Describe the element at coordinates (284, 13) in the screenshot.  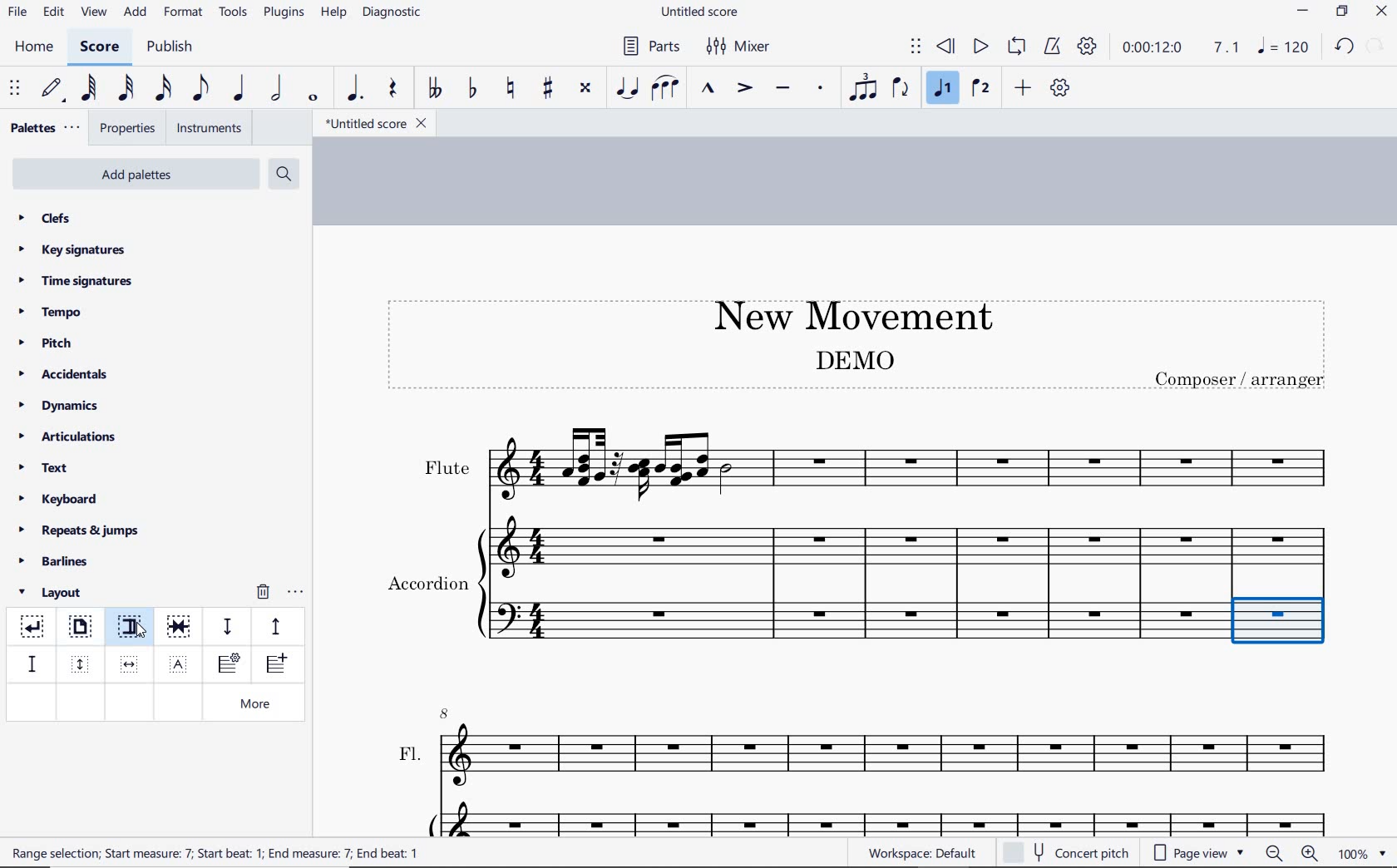
I see `plugins` at that location.